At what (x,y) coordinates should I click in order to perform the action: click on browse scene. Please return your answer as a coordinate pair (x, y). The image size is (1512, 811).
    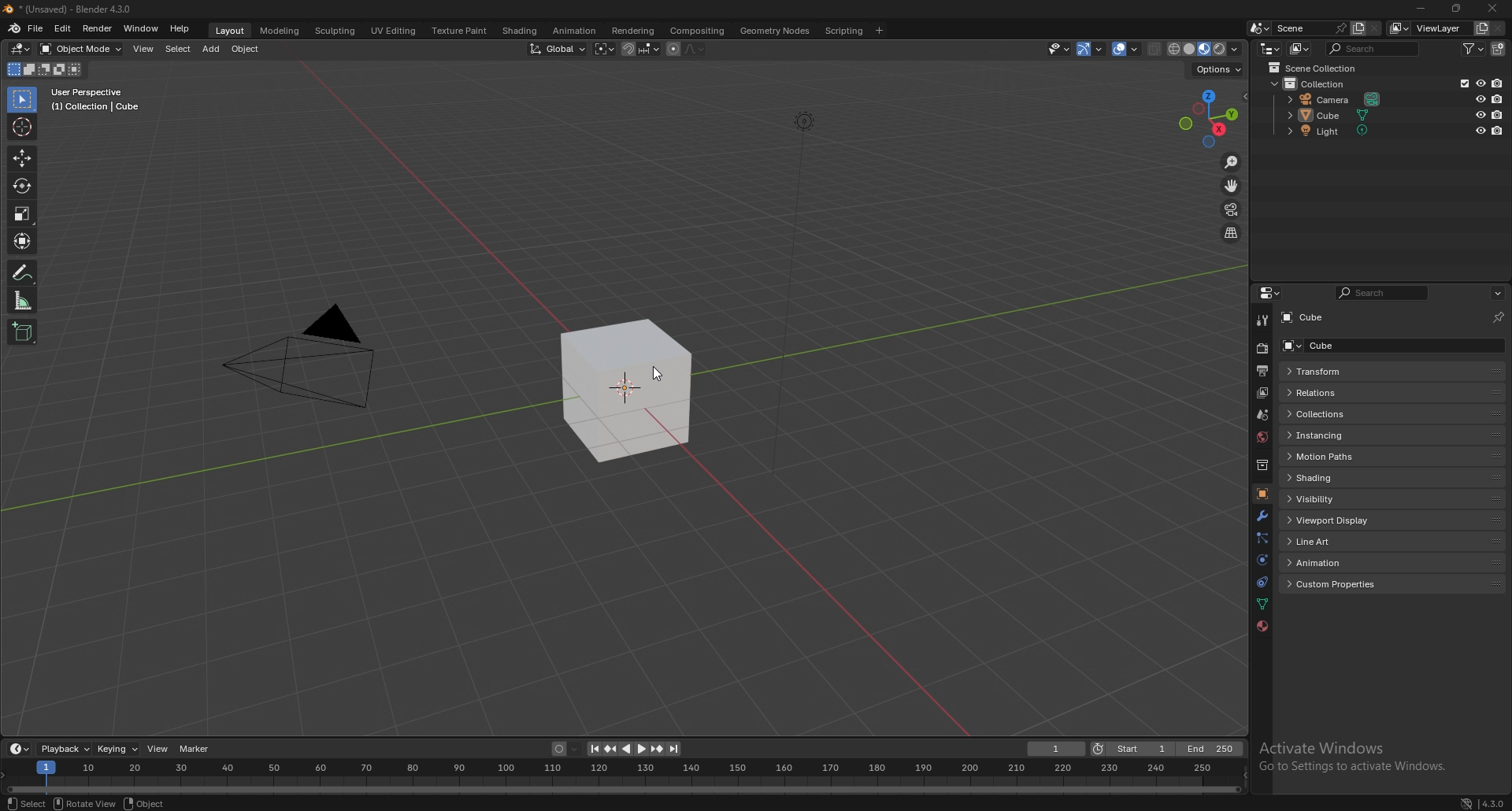
    Looking at the image, I should click on (1260, 28).